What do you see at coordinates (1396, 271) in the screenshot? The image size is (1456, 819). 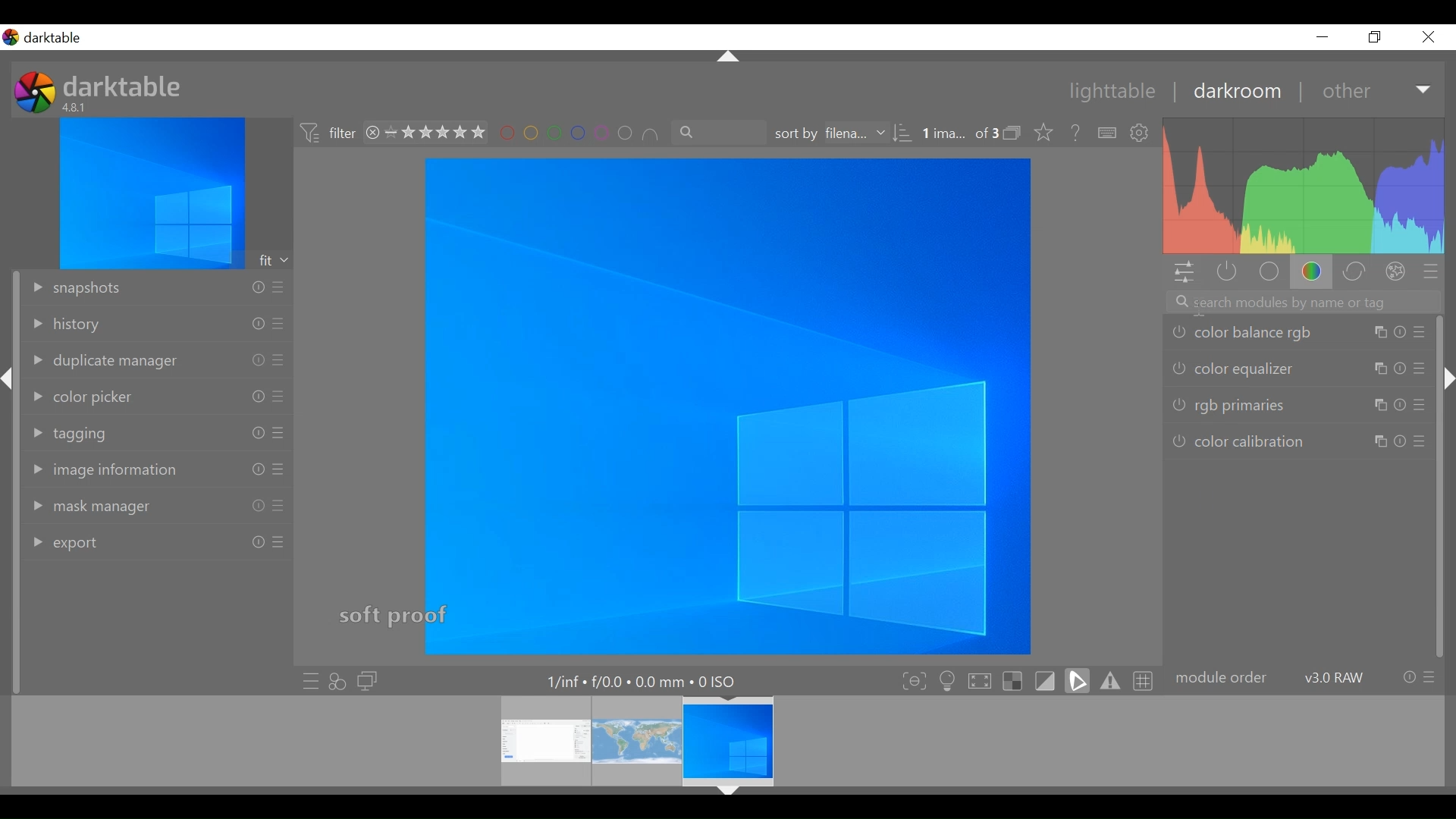 I see `effect` at bounding box center [1396, 271].